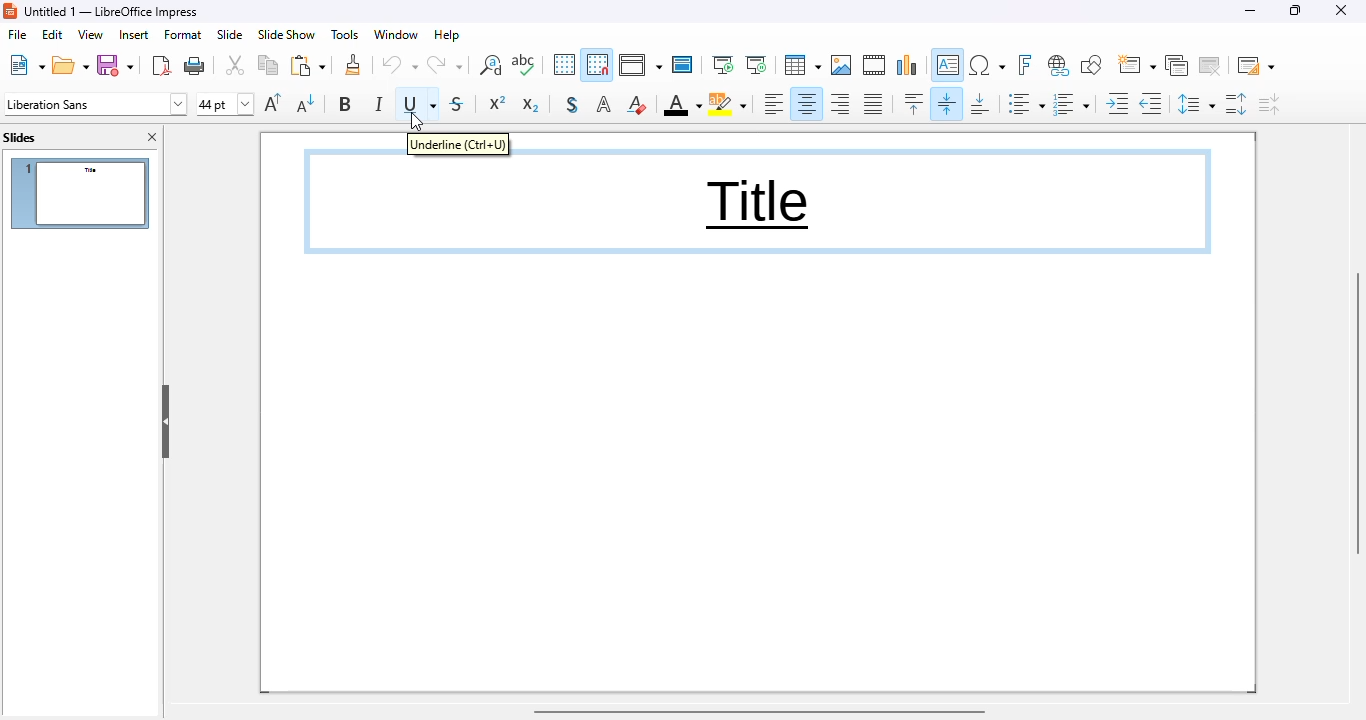 This screenshot has width=1366, height=720. What do you see at coordinates (236, 66) in the screenshot?
I see `cut` at bounding box center [236, 66].